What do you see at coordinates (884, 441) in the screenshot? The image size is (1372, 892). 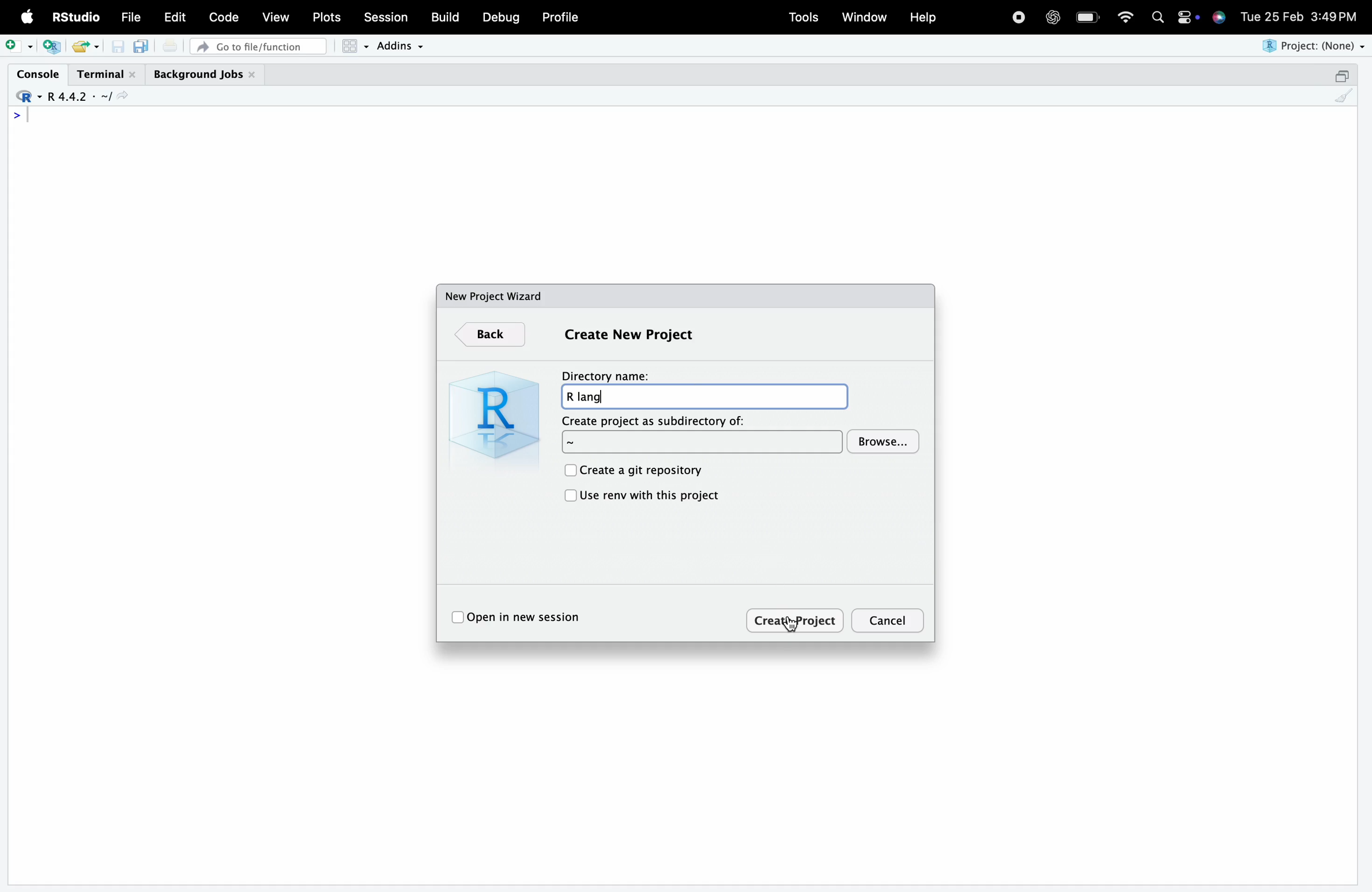 I see `Browse...` at bounding box center [884, 441].